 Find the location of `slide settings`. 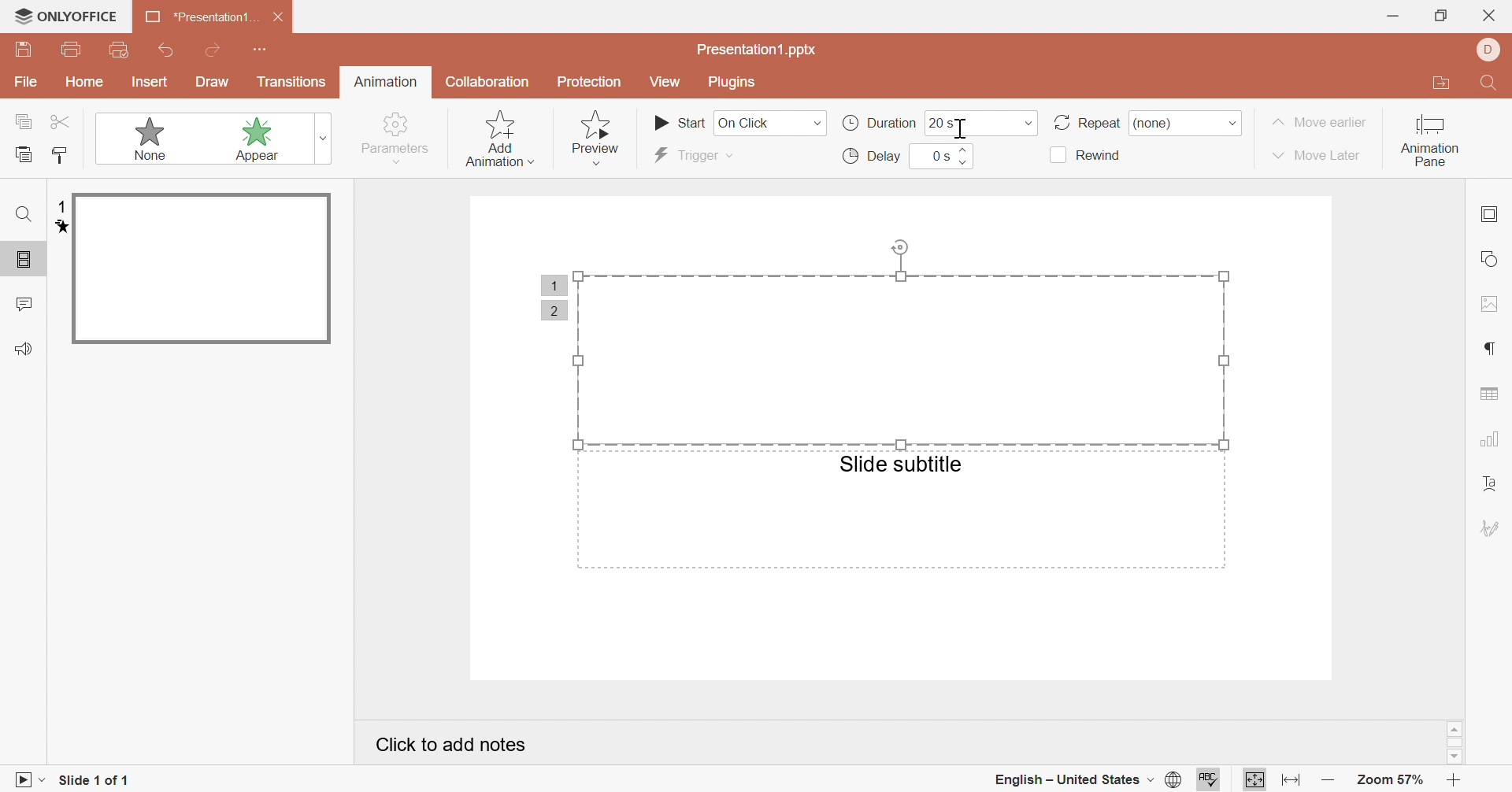

slide settings is located at coordinates (1488, 213).